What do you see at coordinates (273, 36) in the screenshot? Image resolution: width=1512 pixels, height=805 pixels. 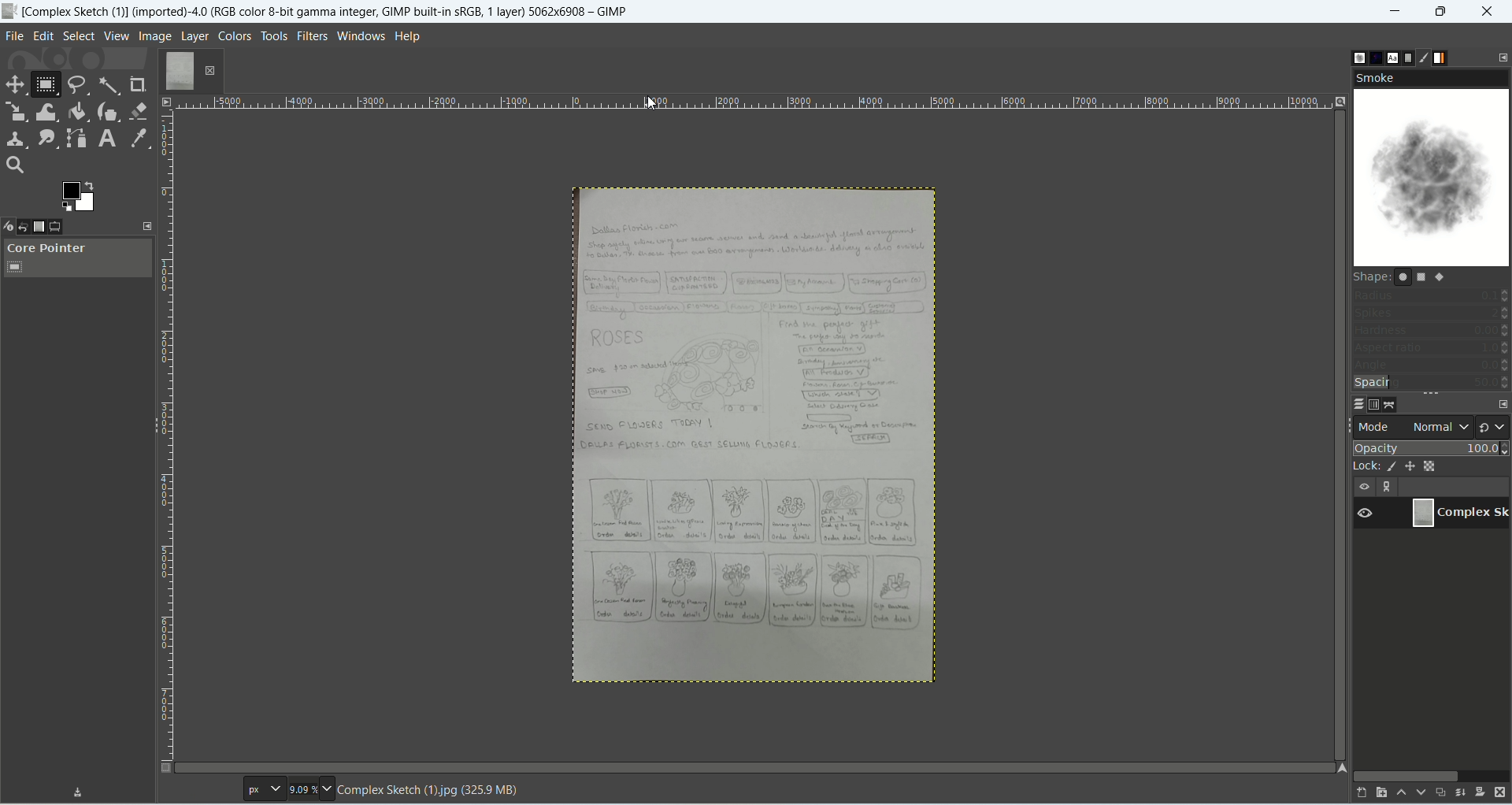 I see `tools` at bounding box center [273, 36].